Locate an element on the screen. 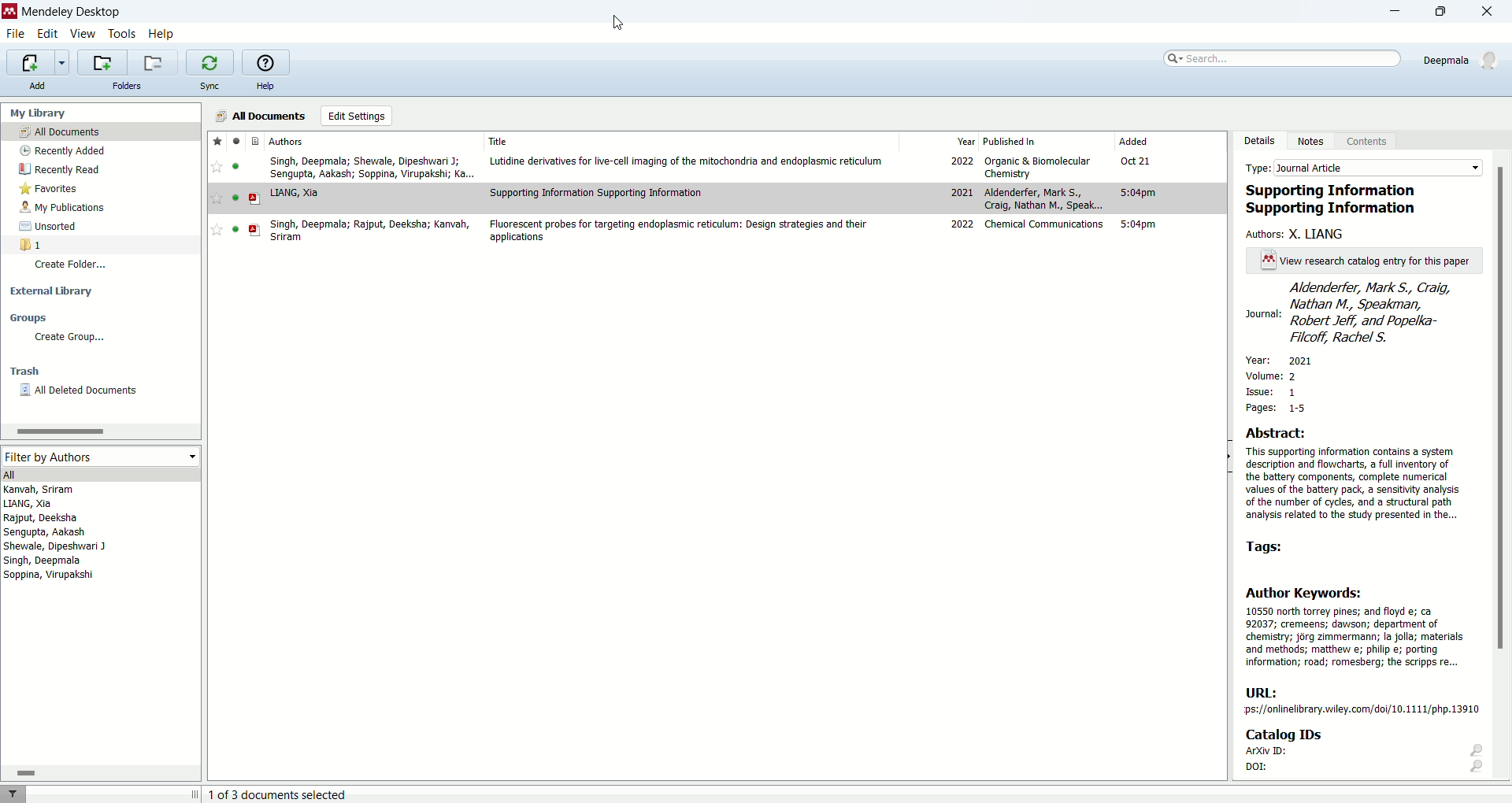  mendeley desktop is located at coordinates (71, 12).